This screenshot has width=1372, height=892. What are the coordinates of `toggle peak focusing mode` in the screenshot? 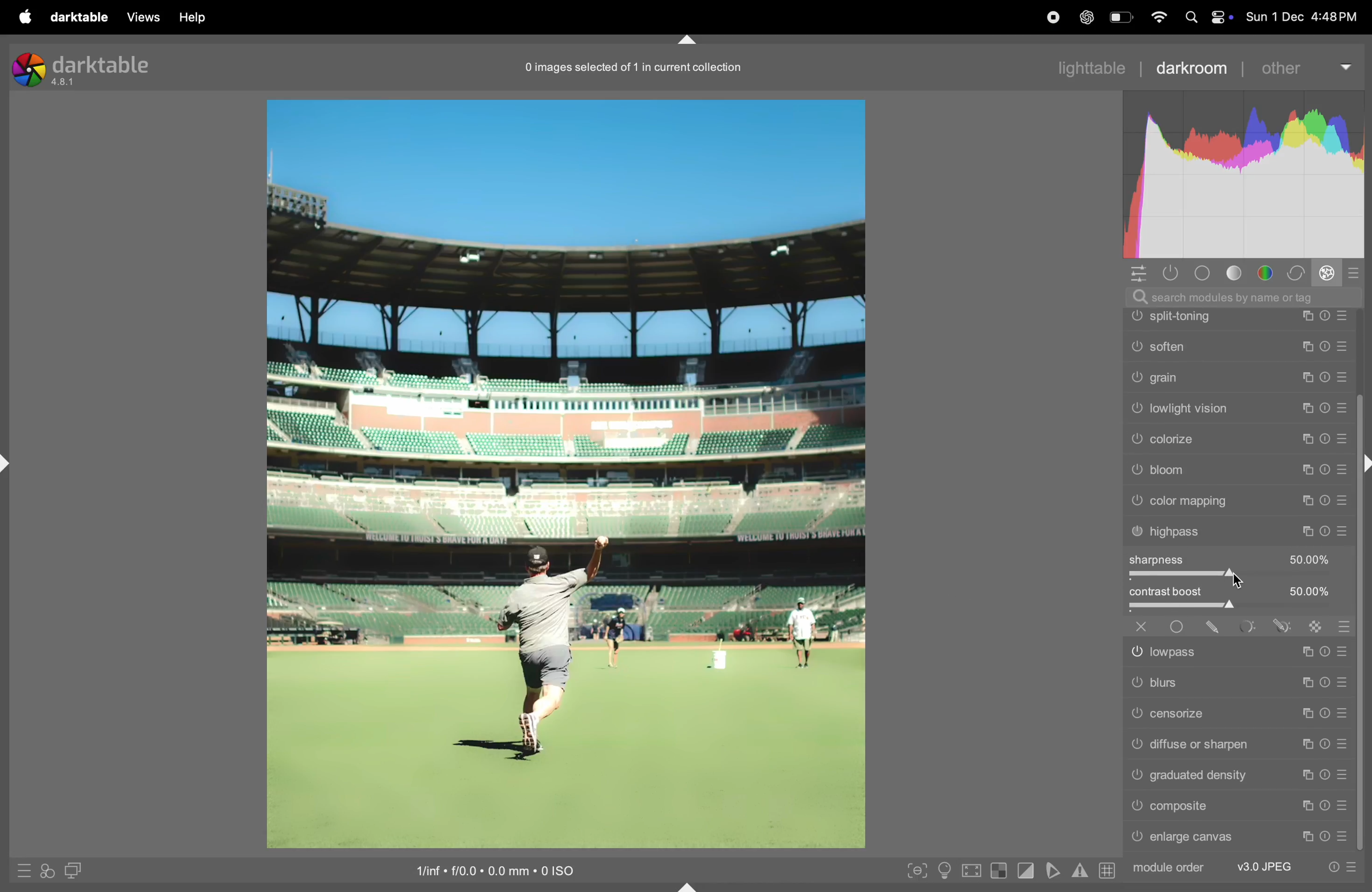 It's located at (915, 870).